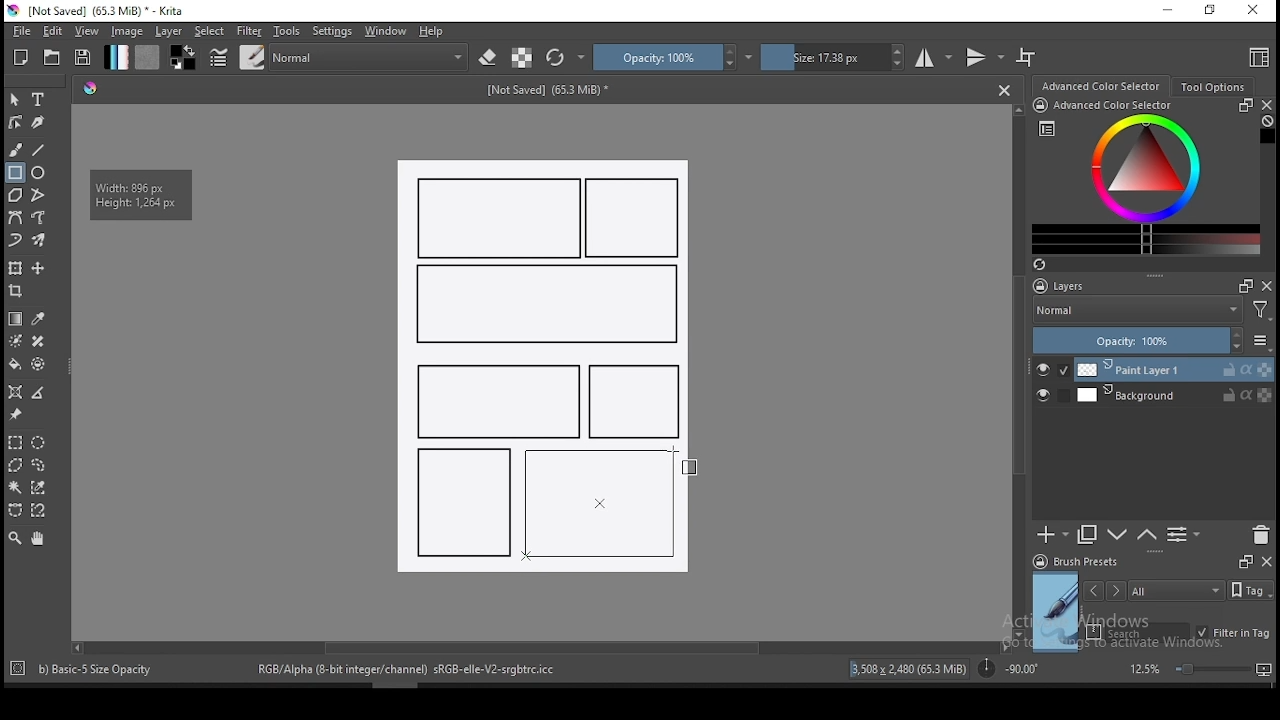 Image resolution: width=1280 pixels, height=720 pixels. What do you see at coordinates (15, 511) in the screenshot?
I see `bezier curve selection tool` at bounding box center [15, 511].